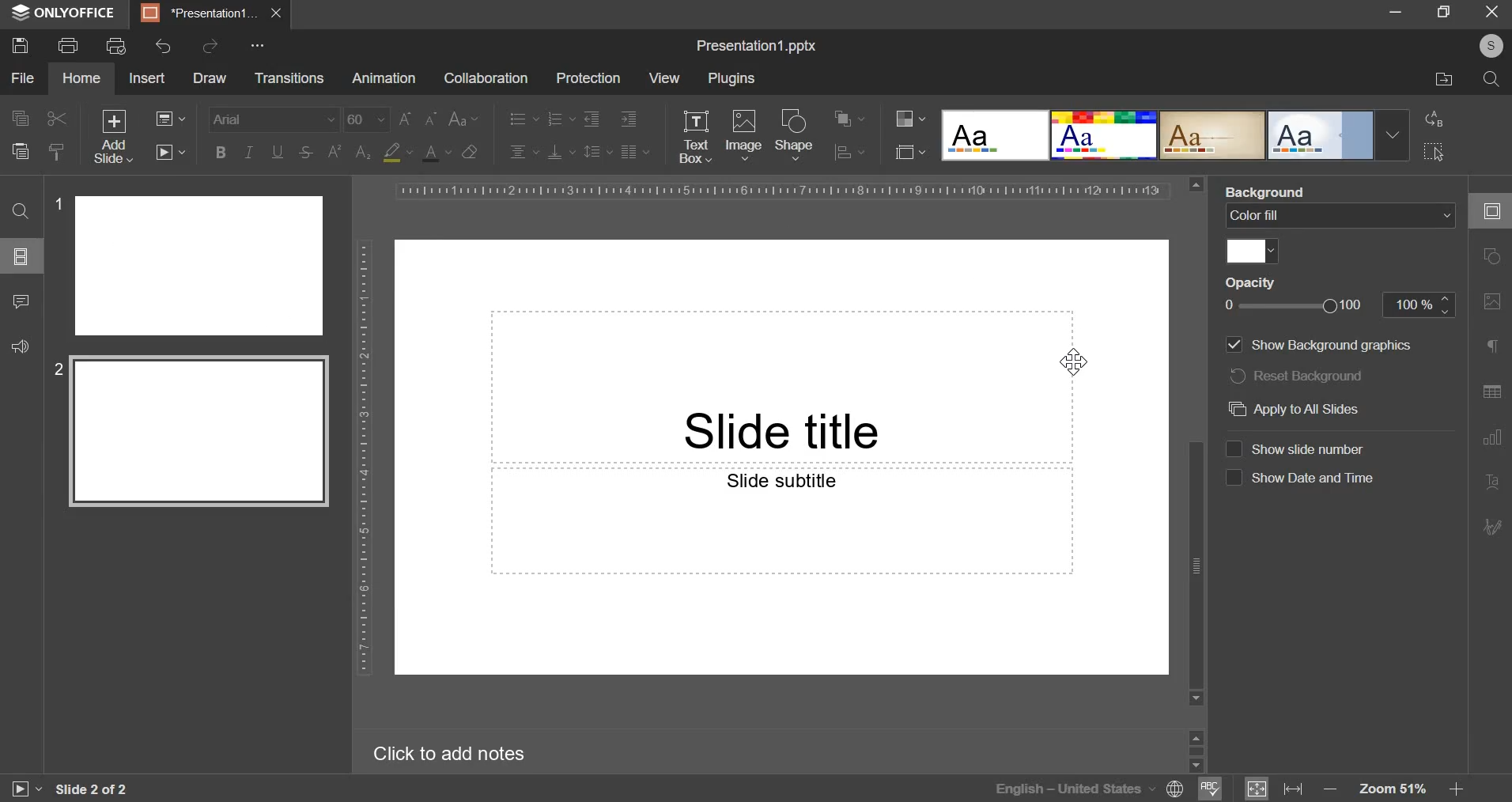 This screenshot has width=1512, height=802. Describe the element at coordinates (560, 118) in the screenshot. I see `numbering` at that location.